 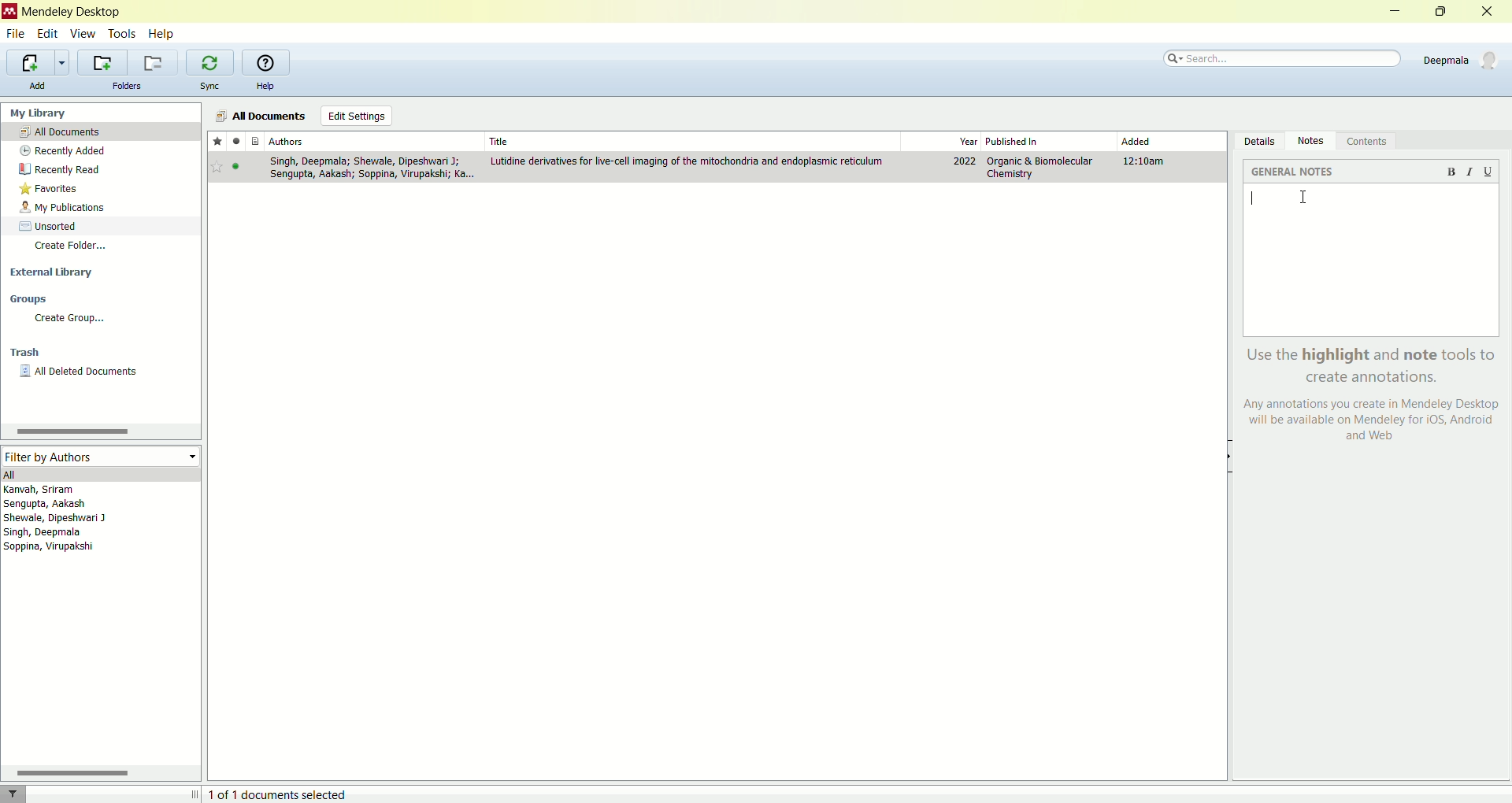 What do you see at coordinates (100, 317) in the screenshot?
I see `create group` at bounding box center [100, 317].